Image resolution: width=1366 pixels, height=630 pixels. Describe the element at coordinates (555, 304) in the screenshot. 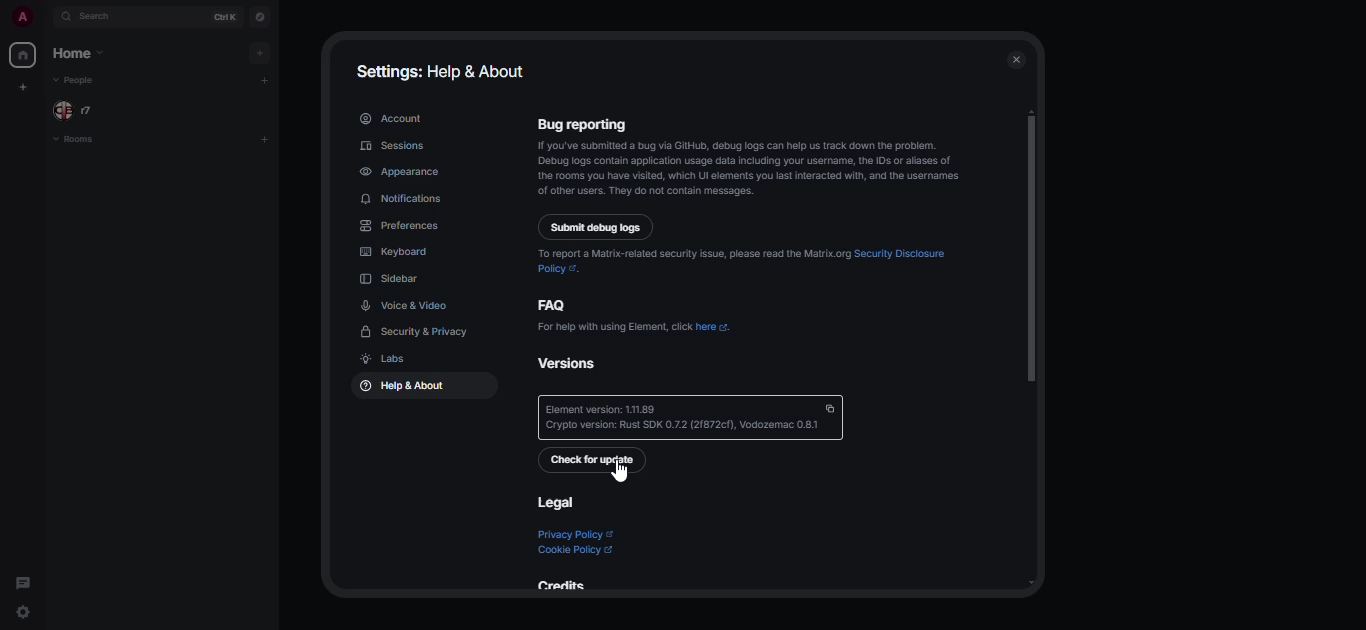

I see `faq` at that location.